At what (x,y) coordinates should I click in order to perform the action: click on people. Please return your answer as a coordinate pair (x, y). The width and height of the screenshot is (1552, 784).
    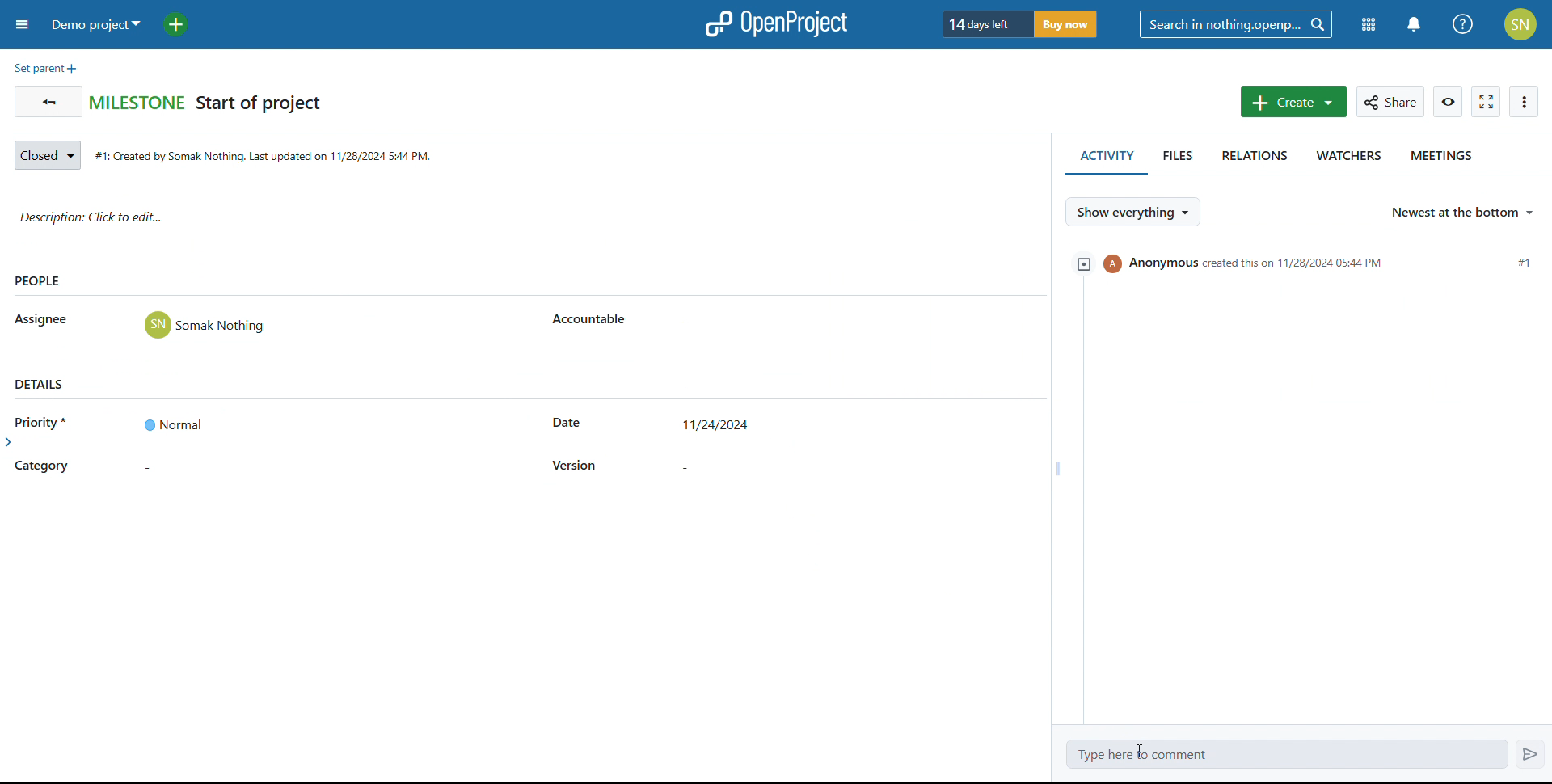
    Looking at the image, I should click on (39, 282).